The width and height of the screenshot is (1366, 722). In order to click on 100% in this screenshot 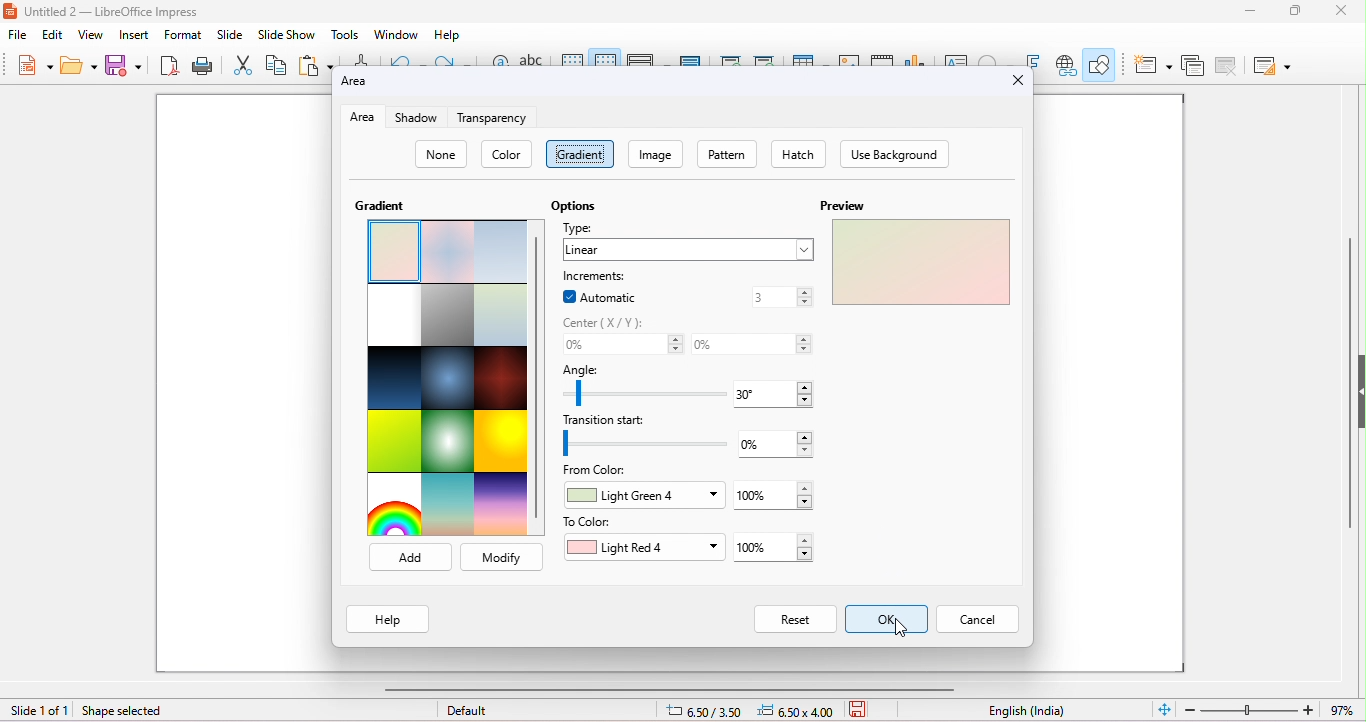, I will do `click(774, 549)`.